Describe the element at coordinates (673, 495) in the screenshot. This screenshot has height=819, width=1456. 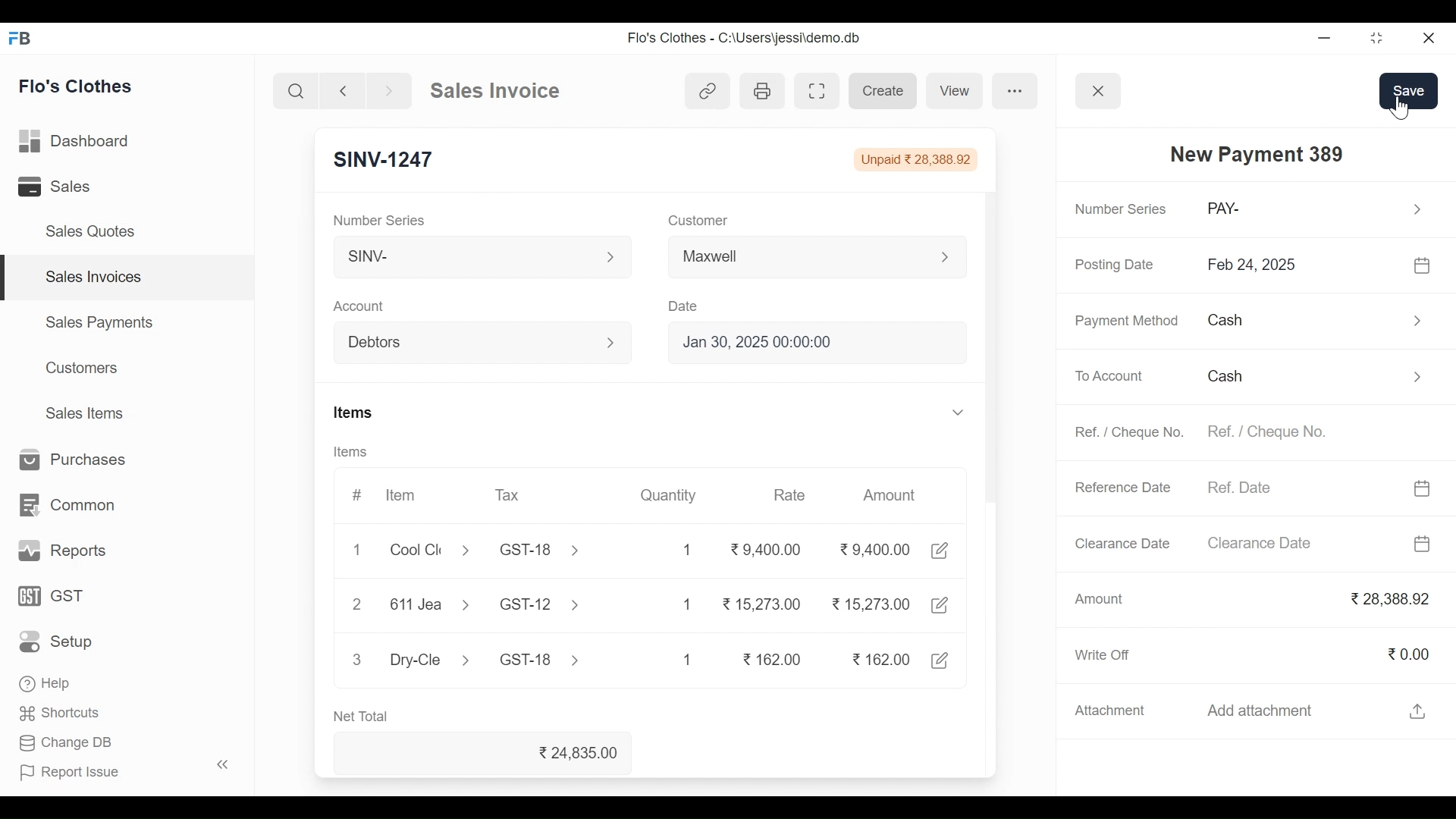
I see `Quantity` at that location.